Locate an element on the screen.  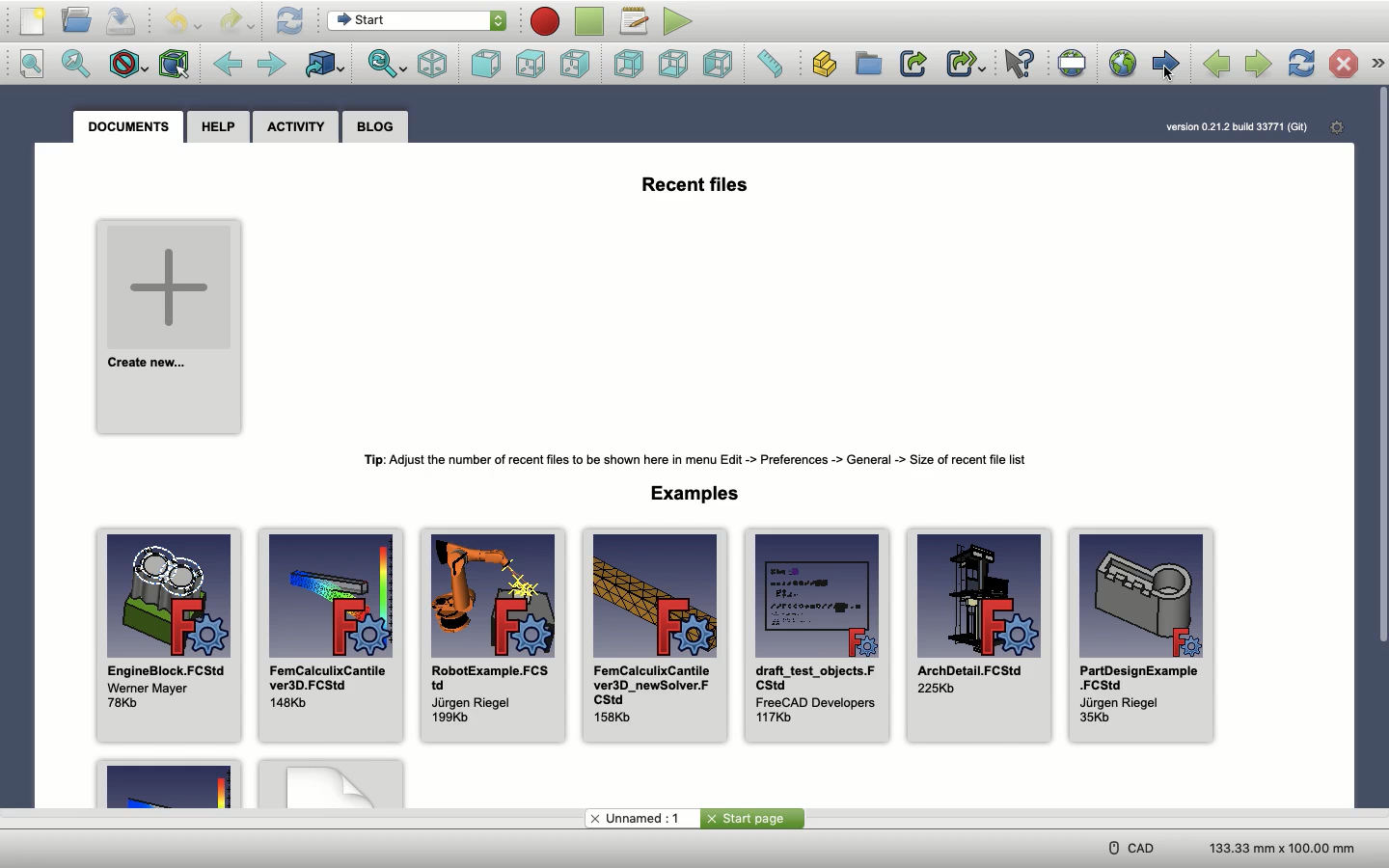
What's this? is located at coordinates (1018, 65).